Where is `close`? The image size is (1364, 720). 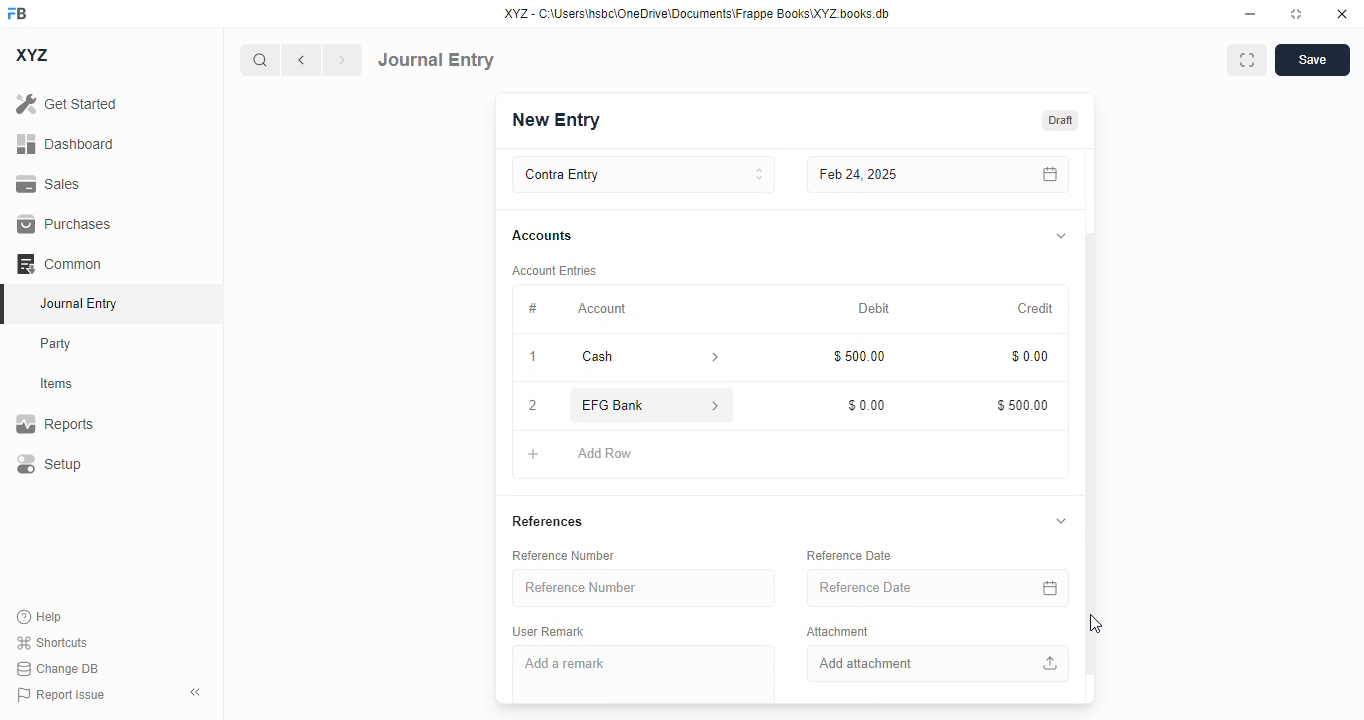 close is located at coordinates (1342, 14).